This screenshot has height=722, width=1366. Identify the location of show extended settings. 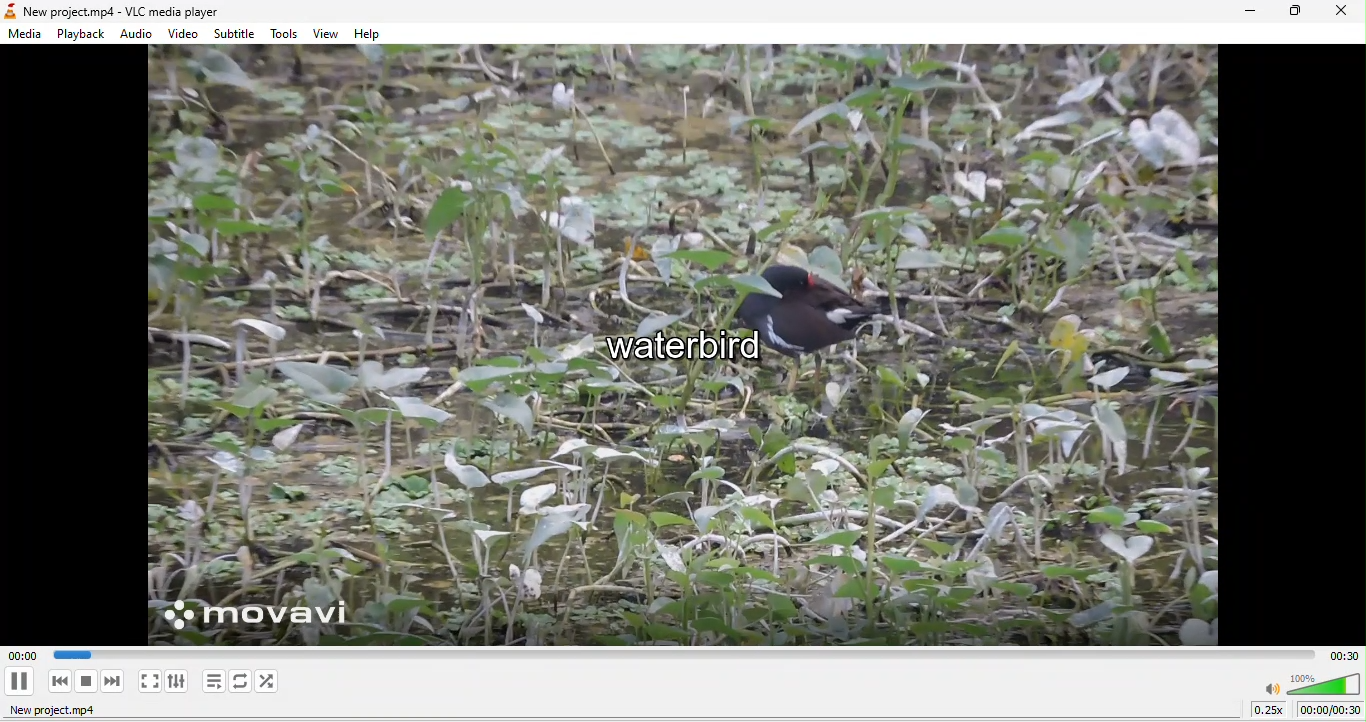
(180, 681).